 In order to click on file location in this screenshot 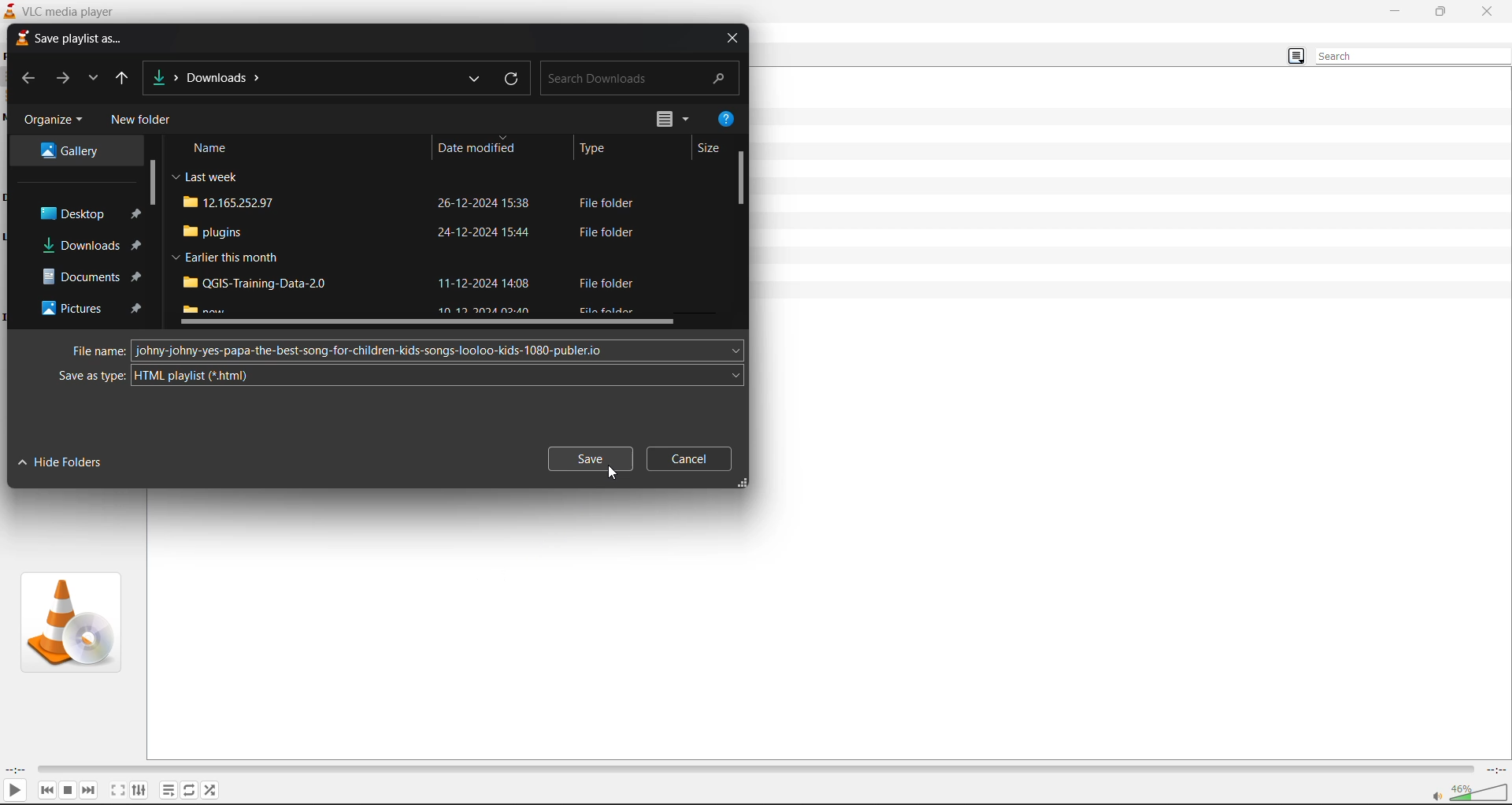, I will do `click(211, 77)`.